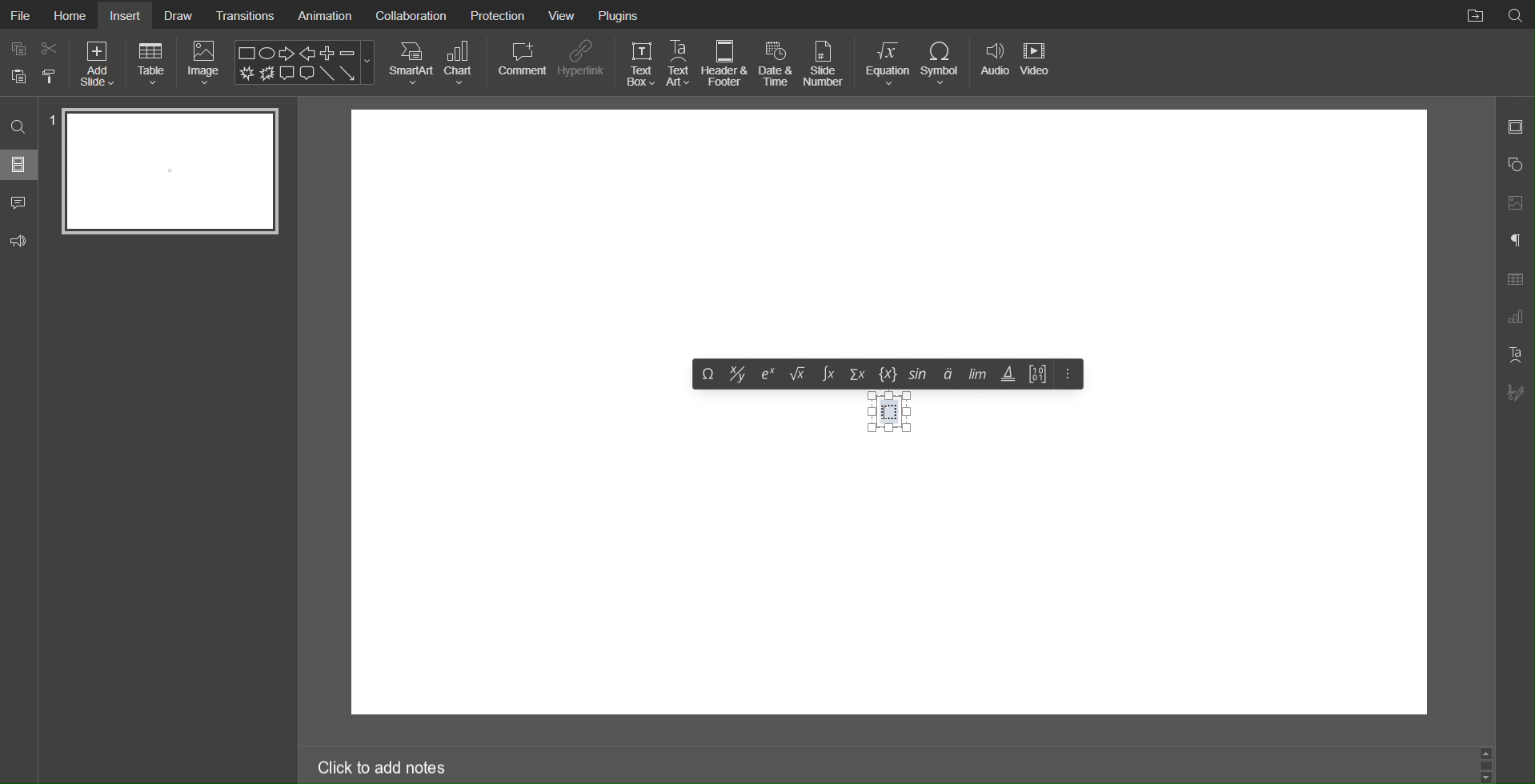 The width and height of the screenshot is (1535, 784). Describe the element at coordinates (324, 14) in the screenshot. I see `Animation` at that location.